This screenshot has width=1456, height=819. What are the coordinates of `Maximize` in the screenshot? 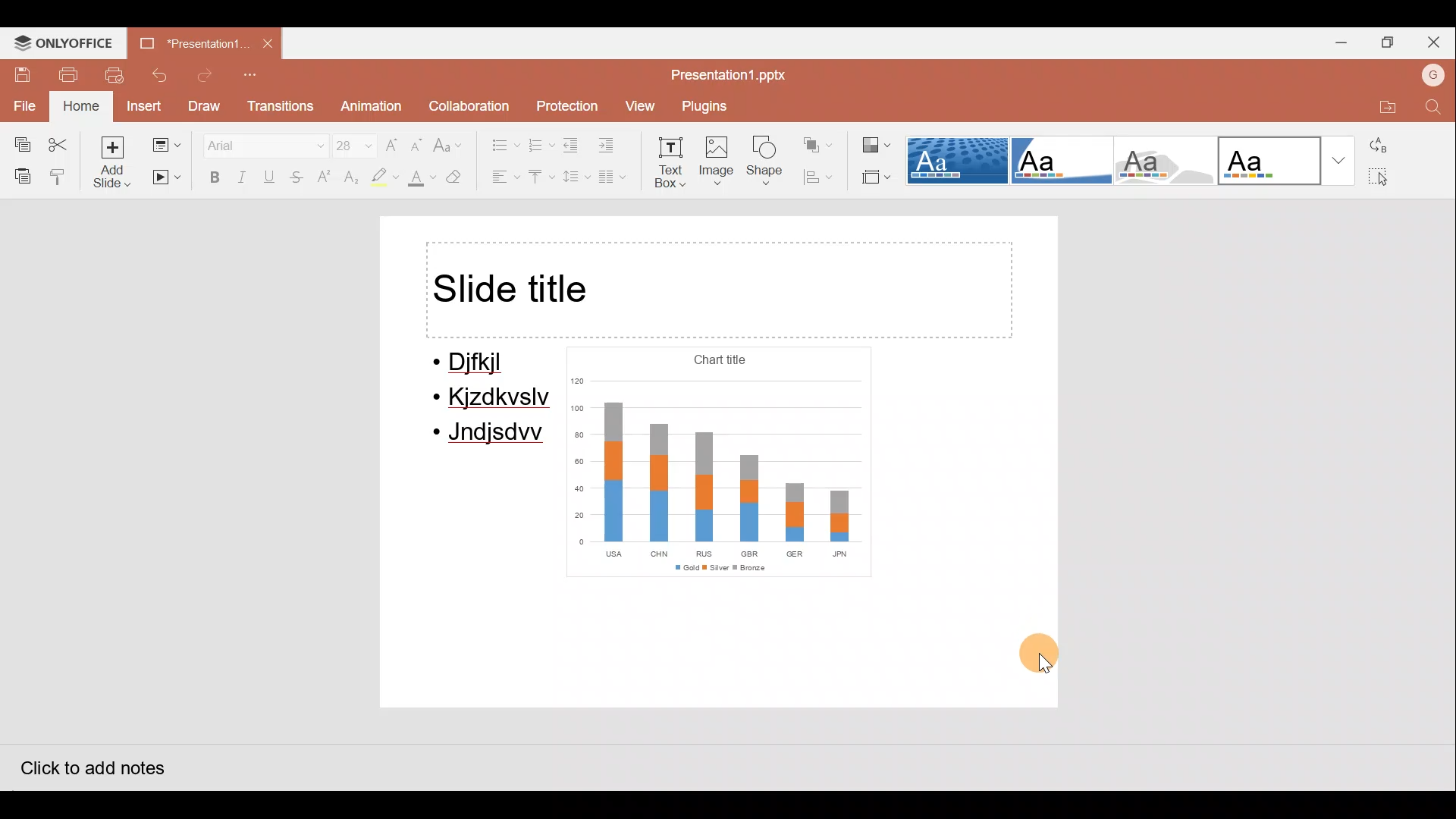 It's located at (1386, 39).